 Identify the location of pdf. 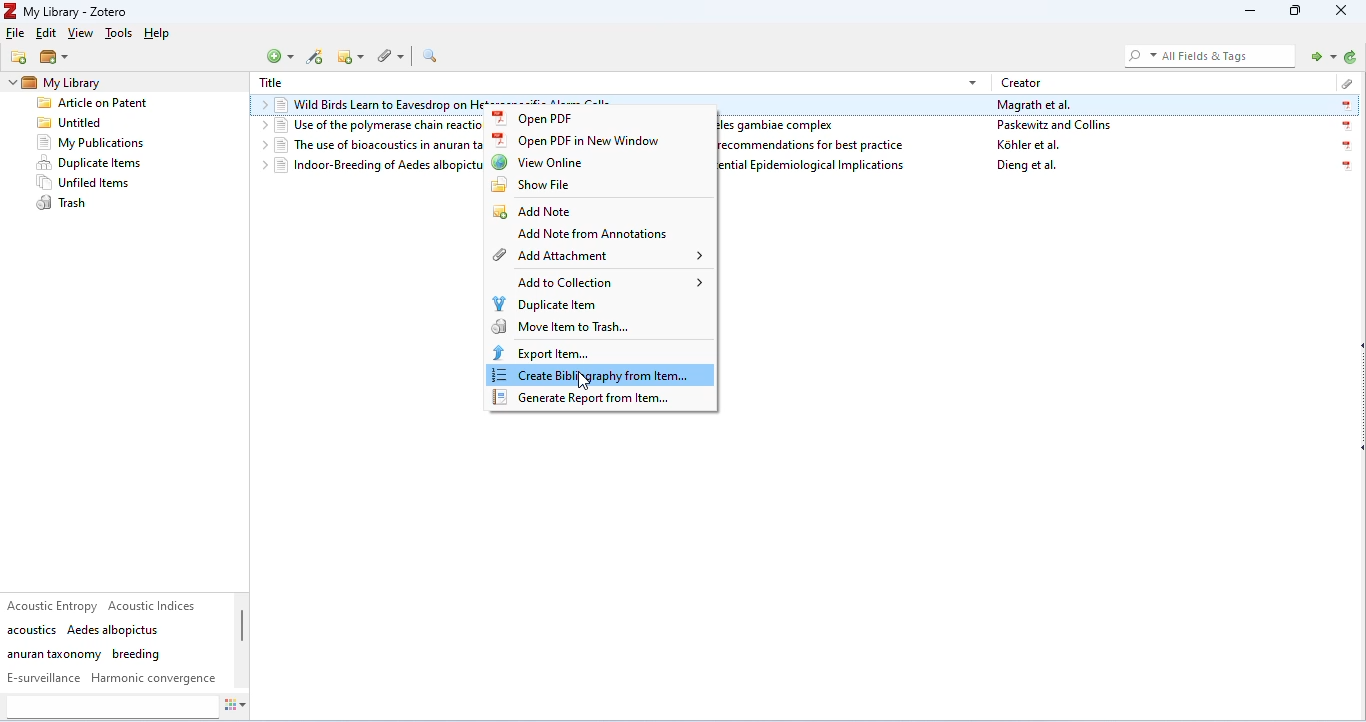
(1345, 106).